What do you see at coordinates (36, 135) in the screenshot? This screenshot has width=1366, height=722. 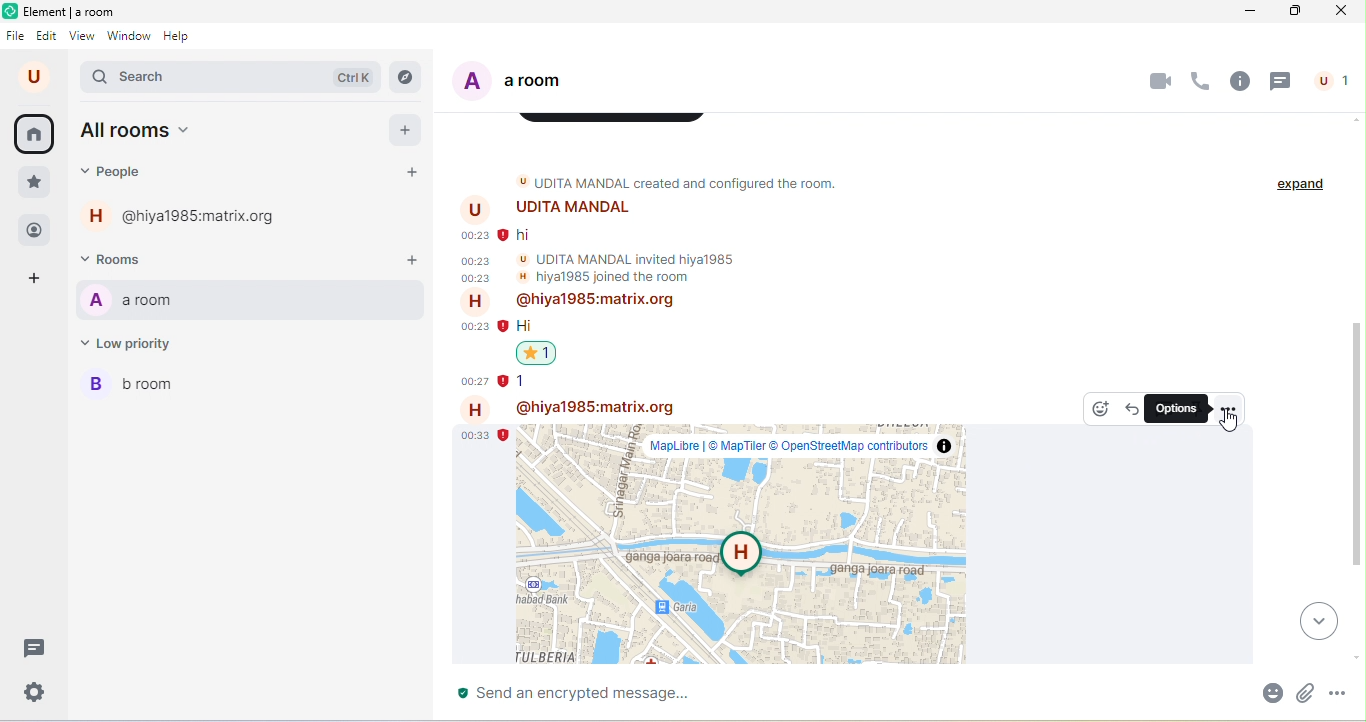 I see `home` at bounding box center [36, 135].